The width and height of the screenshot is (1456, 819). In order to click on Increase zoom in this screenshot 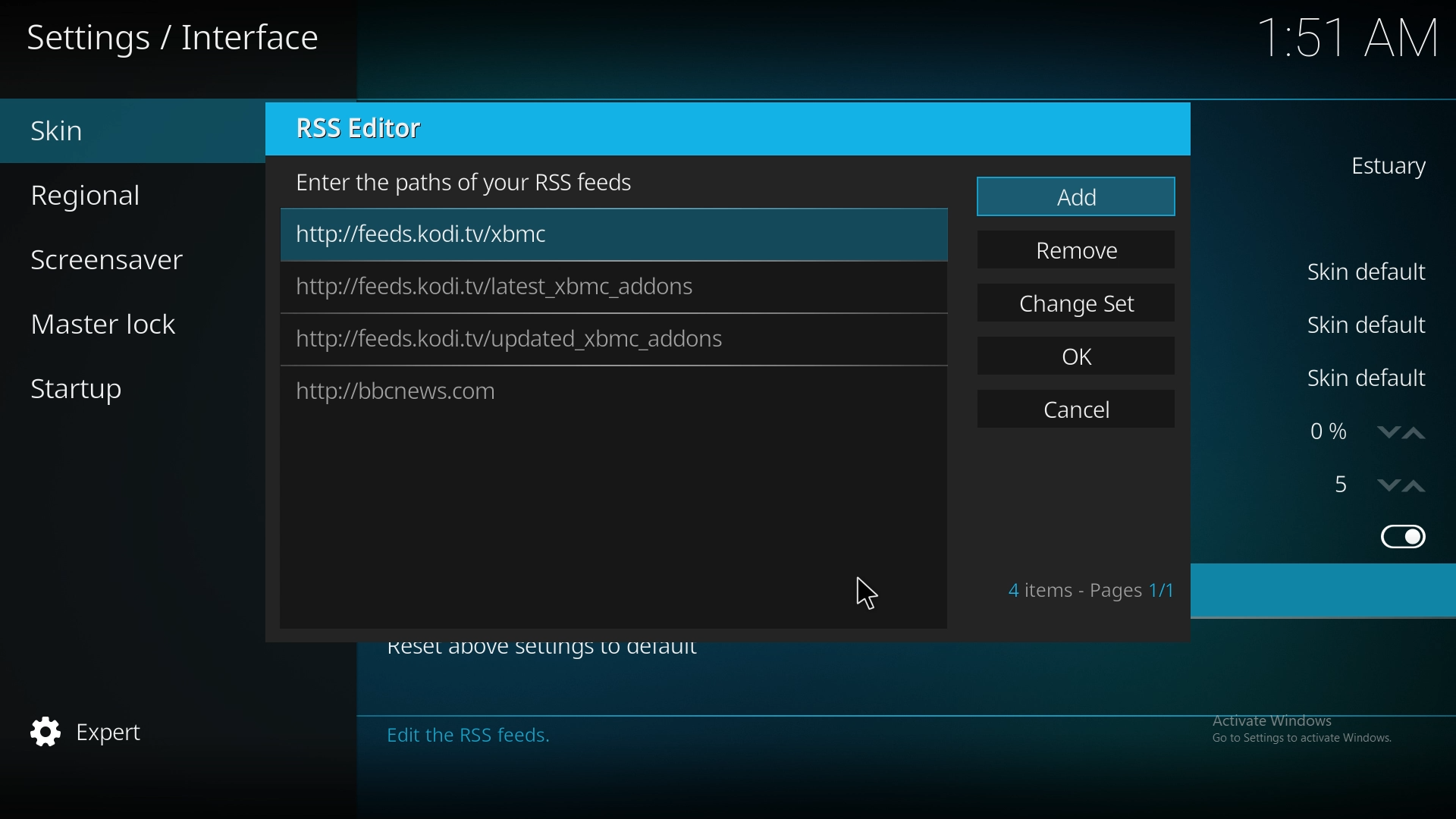, I will do `click(1417, 431)`.